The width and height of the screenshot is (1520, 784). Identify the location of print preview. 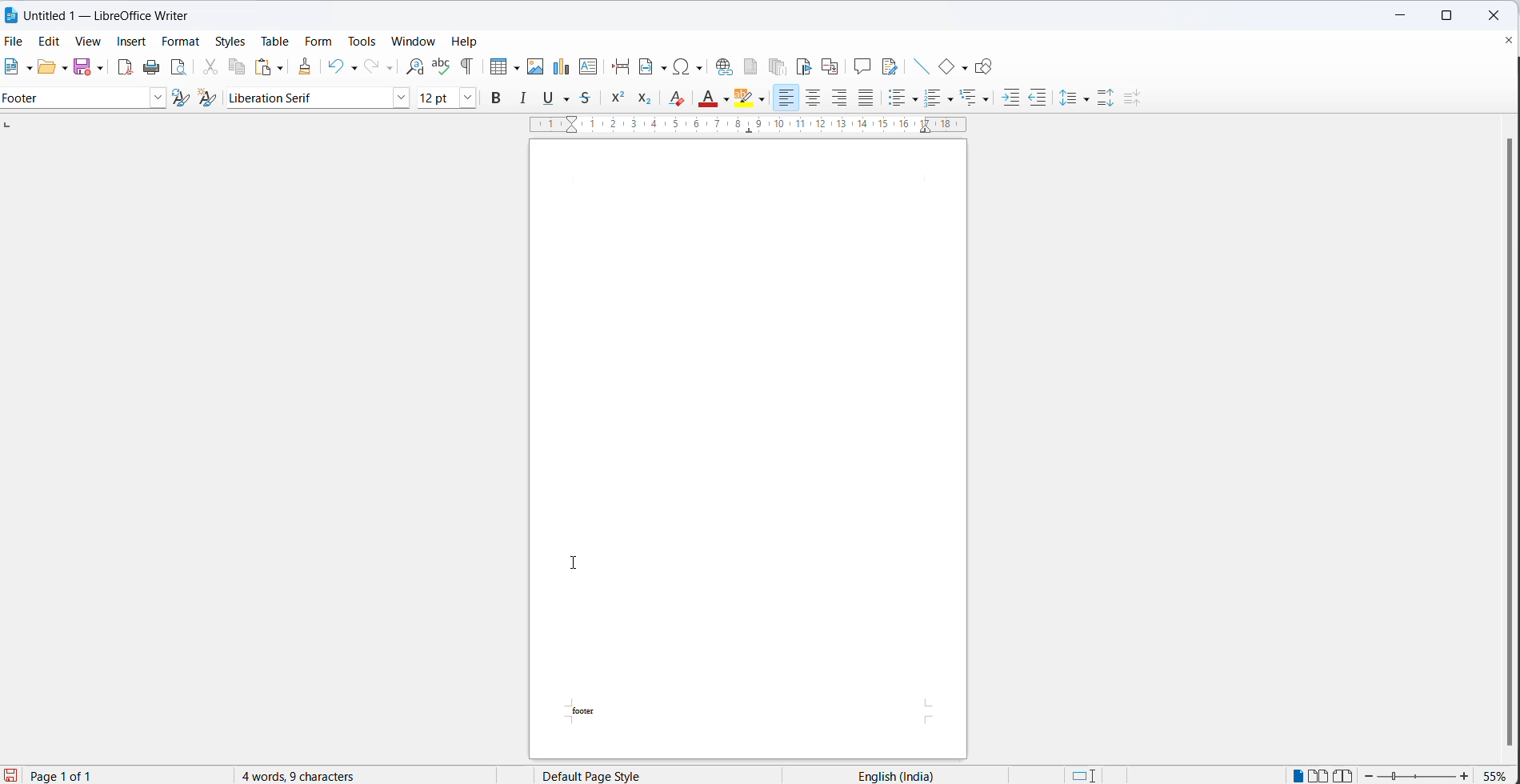
(178, 68).